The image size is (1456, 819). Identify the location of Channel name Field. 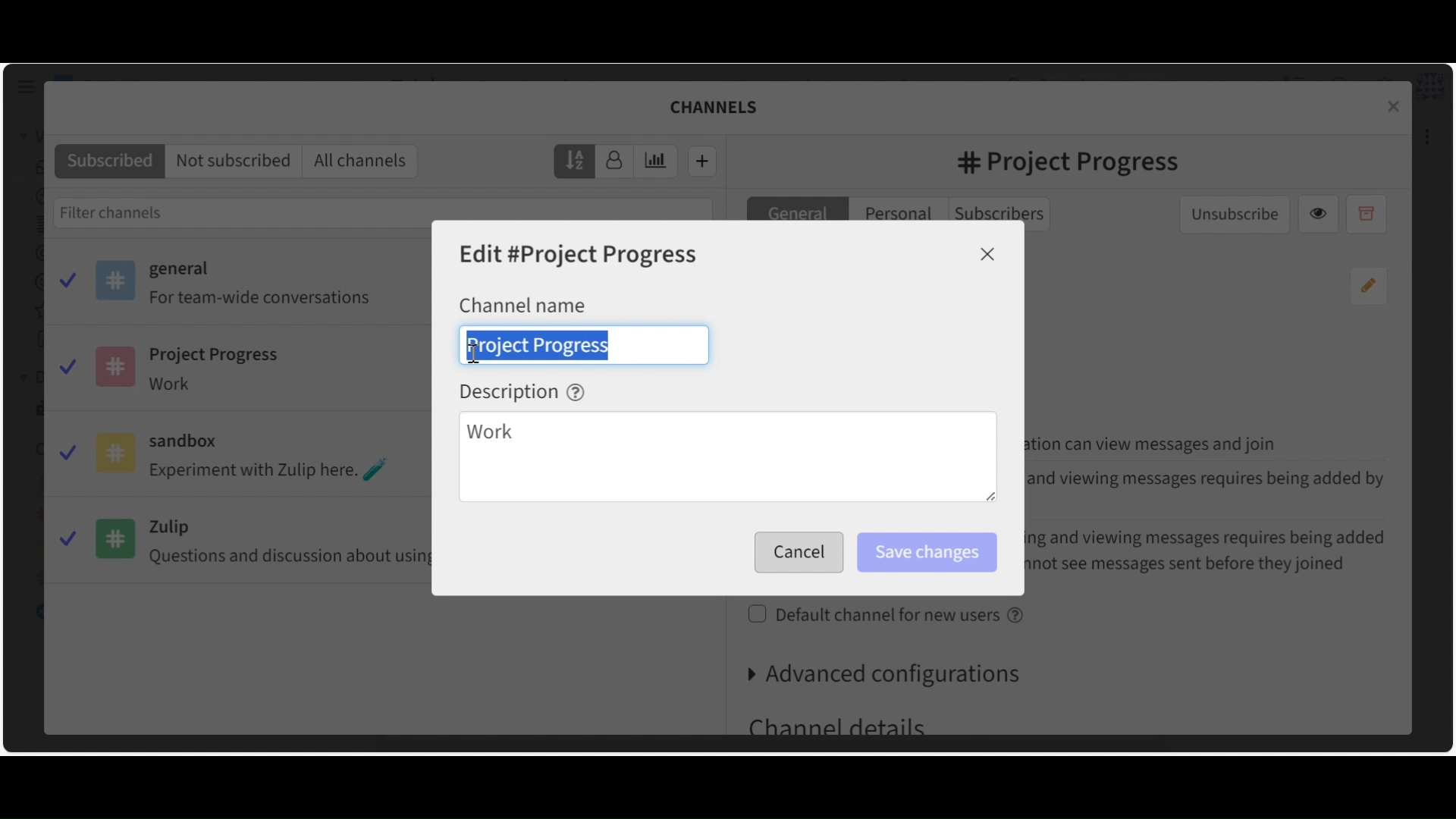
(584, 344).